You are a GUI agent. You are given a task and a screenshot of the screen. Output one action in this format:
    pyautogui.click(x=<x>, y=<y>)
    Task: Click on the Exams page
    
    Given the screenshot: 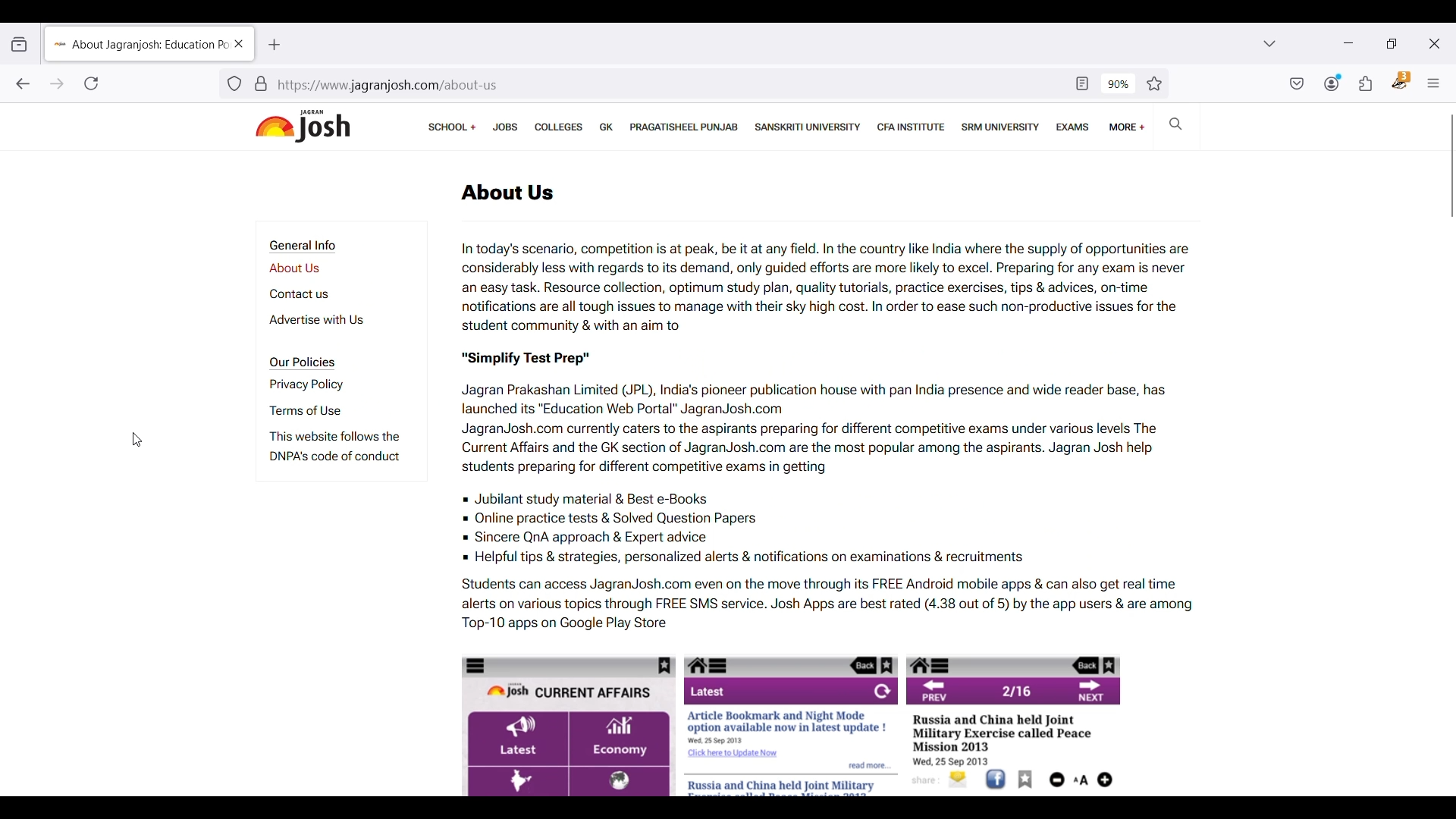 What is the action you would take?
    pyautogui.click(x=1073, y=127)
    